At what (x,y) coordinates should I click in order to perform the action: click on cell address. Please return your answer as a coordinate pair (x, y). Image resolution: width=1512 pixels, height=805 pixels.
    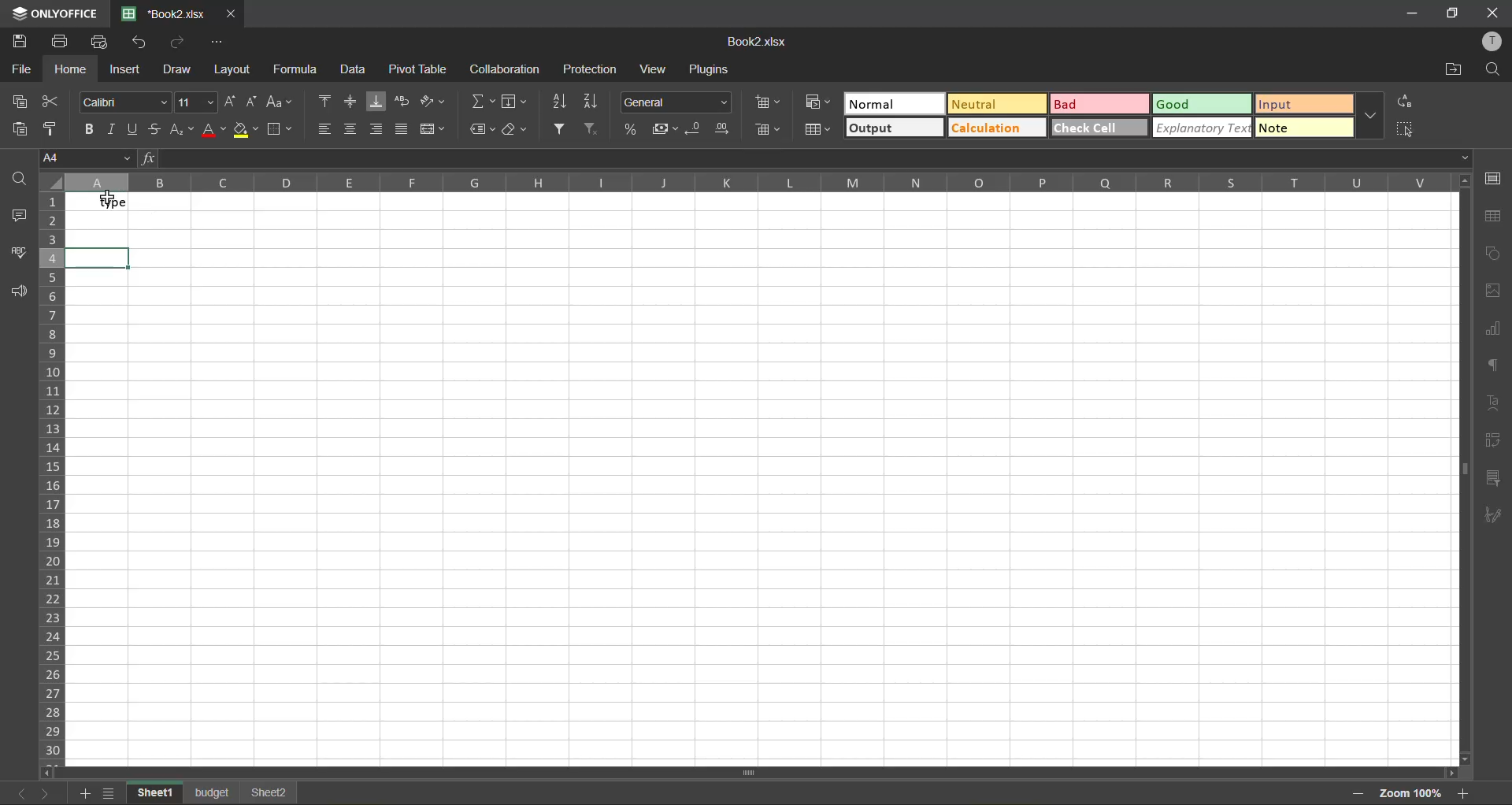
    Looking at the image, I should click on (85, 158).